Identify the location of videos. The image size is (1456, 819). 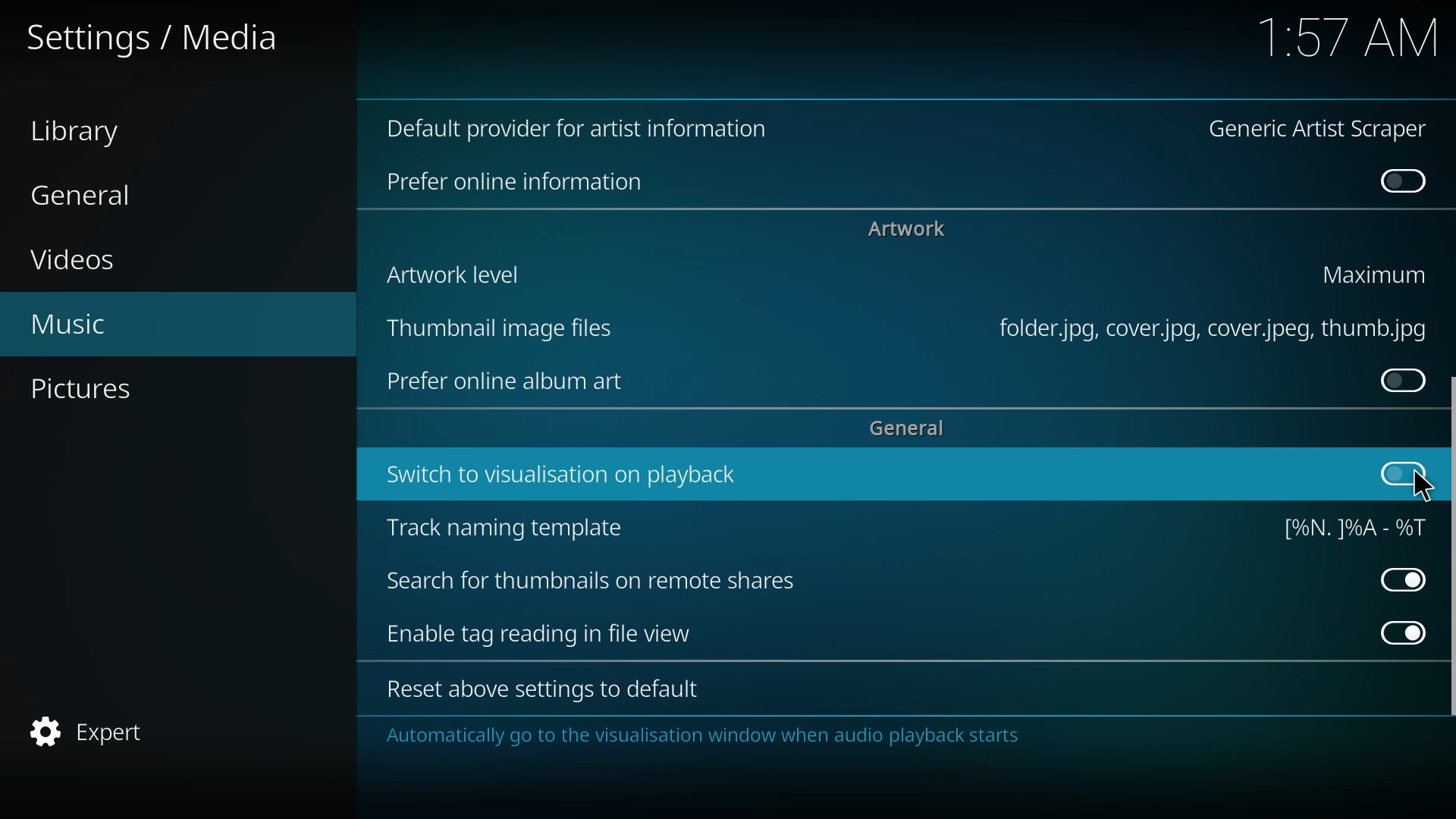
(78, 260).